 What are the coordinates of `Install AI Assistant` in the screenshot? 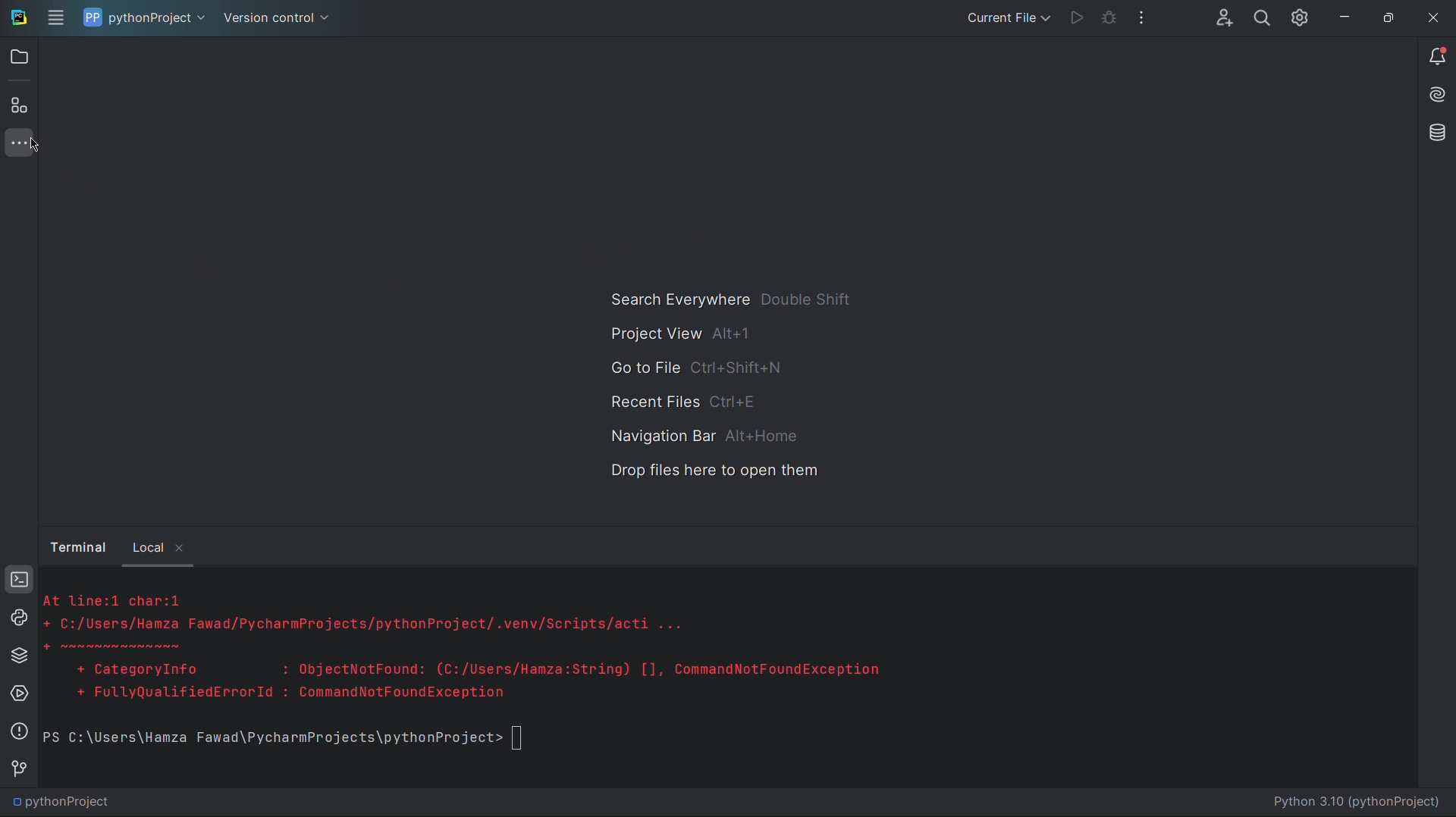 It's located at (1435, 96).